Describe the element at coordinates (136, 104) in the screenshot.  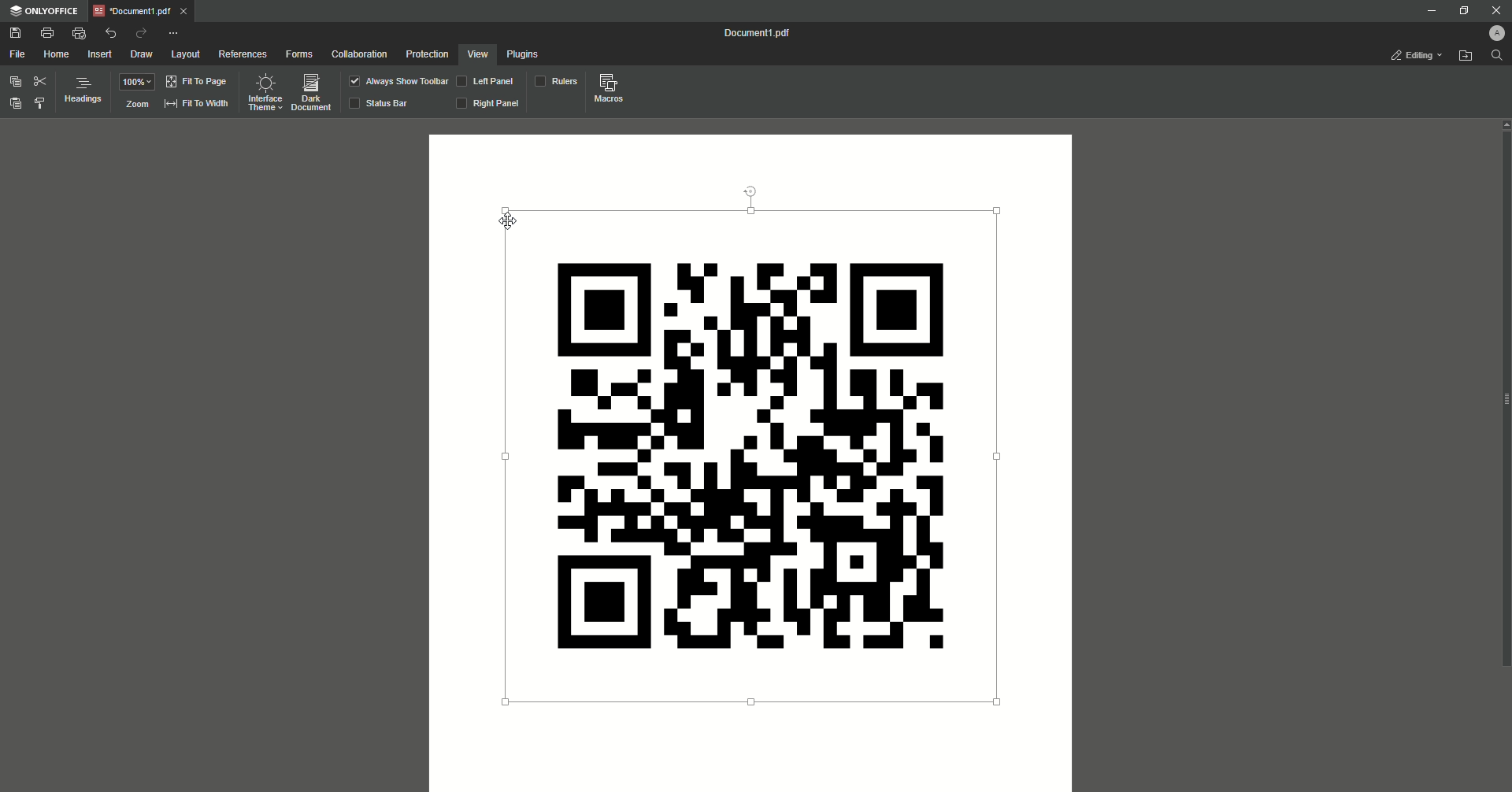
I see `Zoom` at that location.